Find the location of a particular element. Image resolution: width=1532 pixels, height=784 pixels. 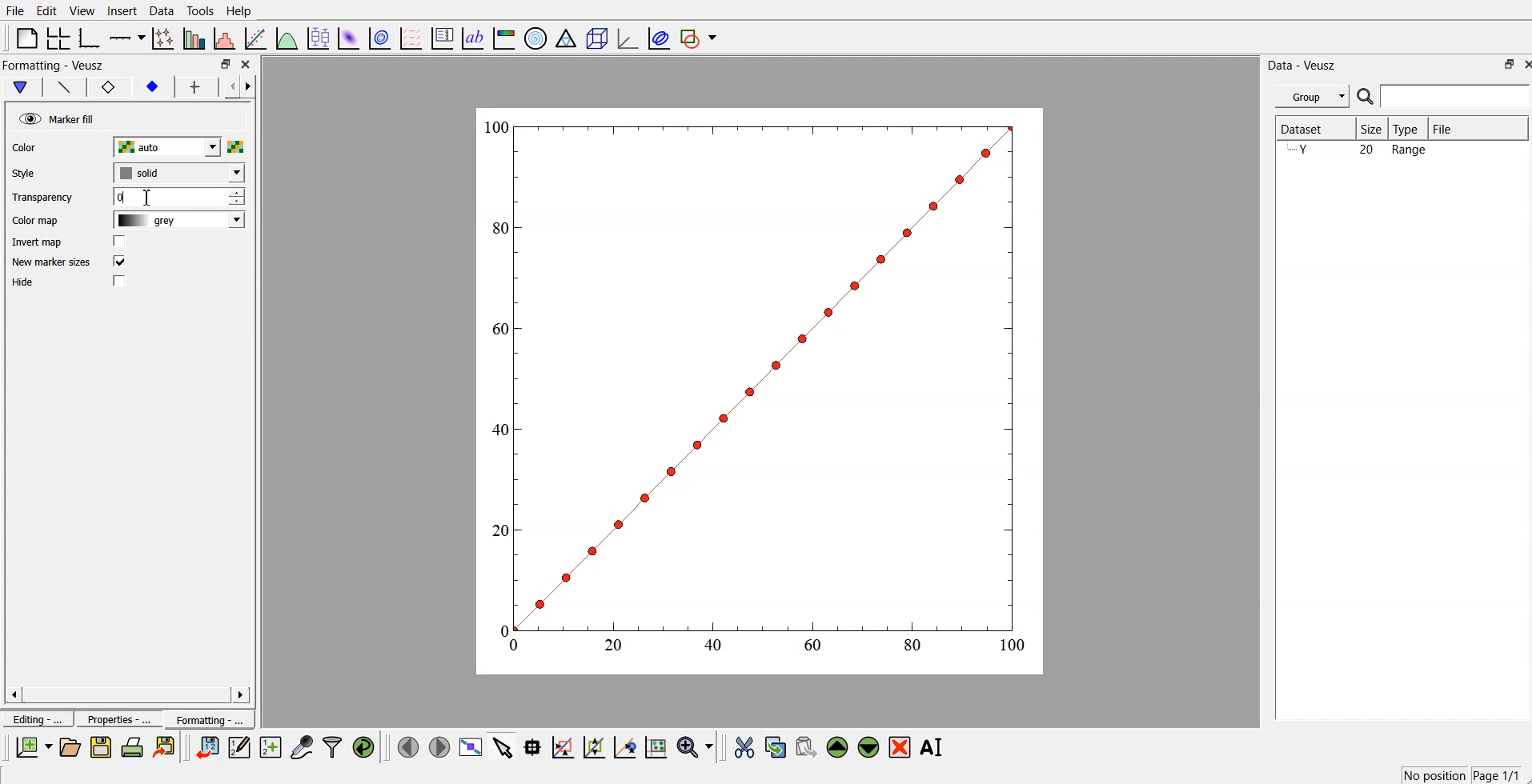

Data is located at coordinates (162, 10).